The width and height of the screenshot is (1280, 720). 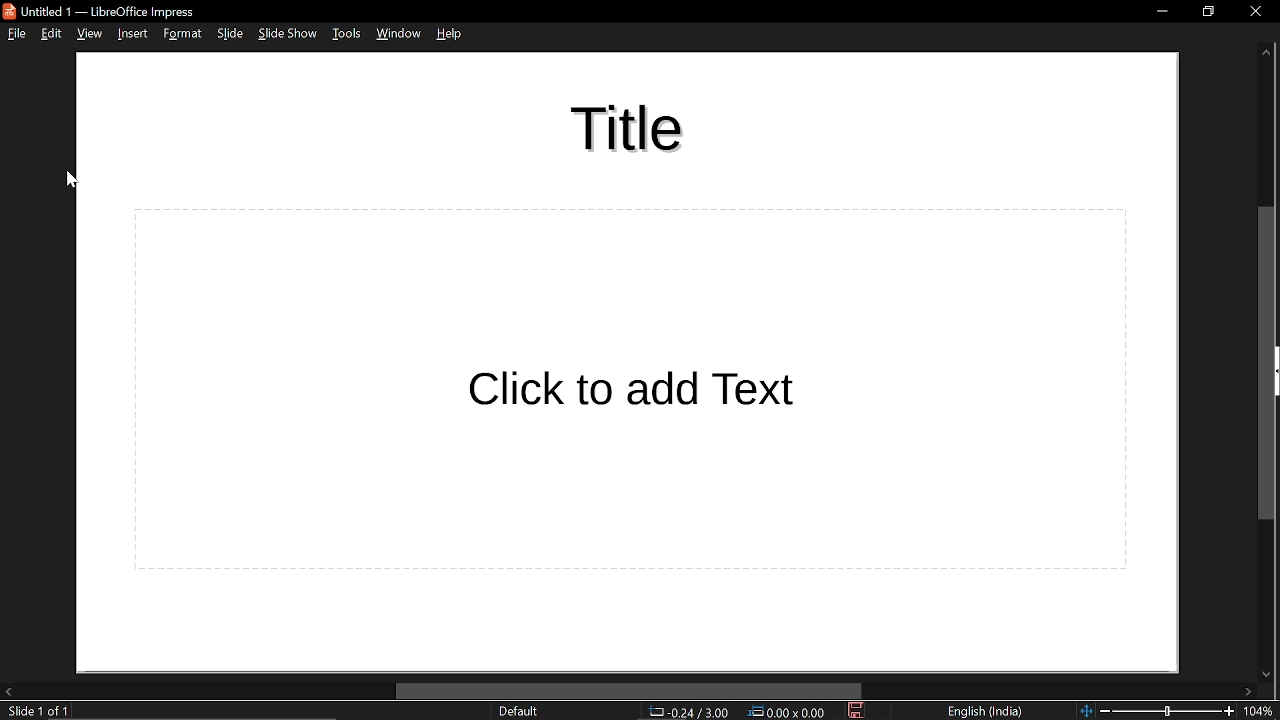 I want to click on current zoom, so click(x=1261, y=711).